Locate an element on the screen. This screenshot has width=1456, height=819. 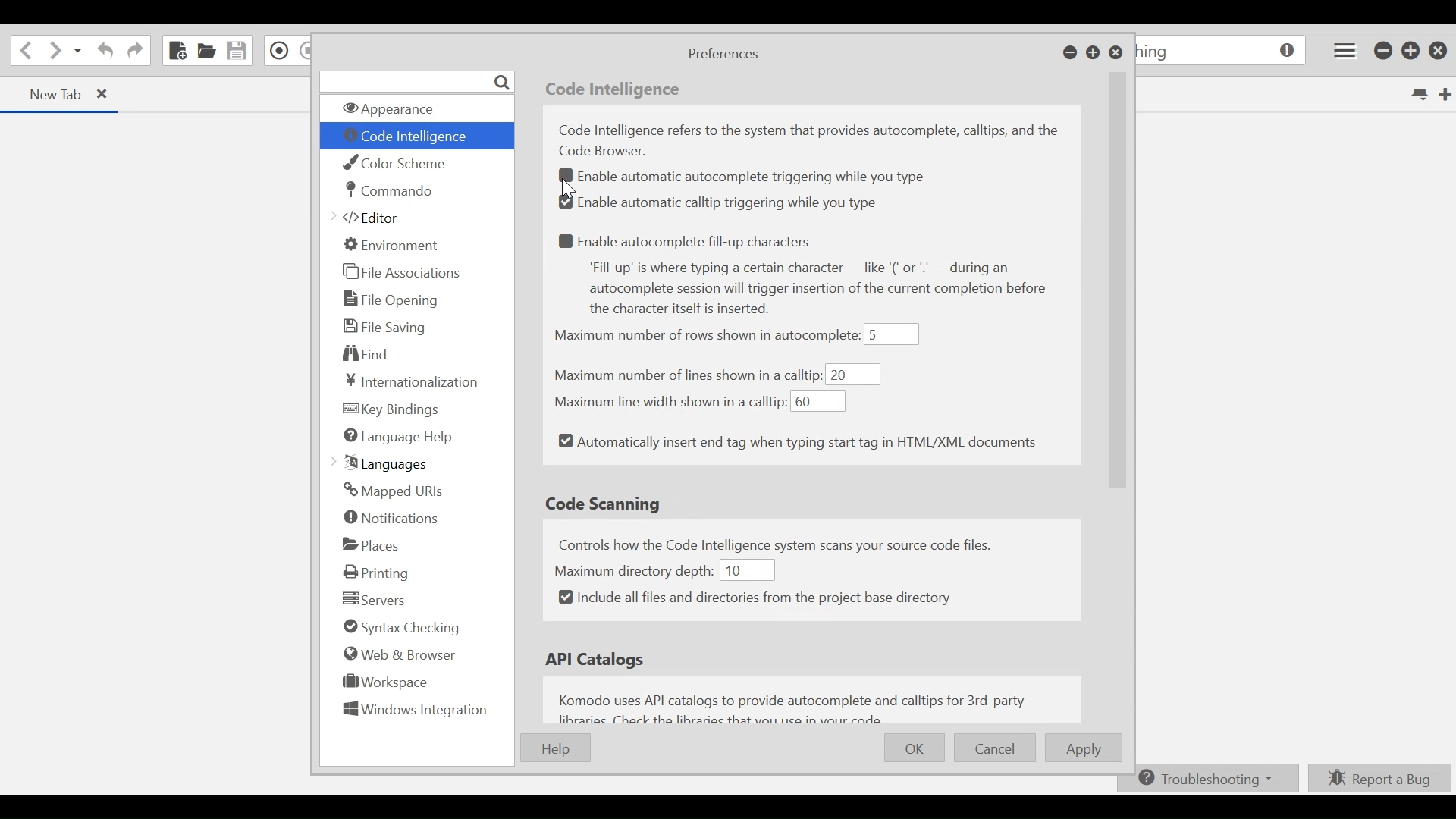
Maximum directory depth: is located at coordinates (635, 569).